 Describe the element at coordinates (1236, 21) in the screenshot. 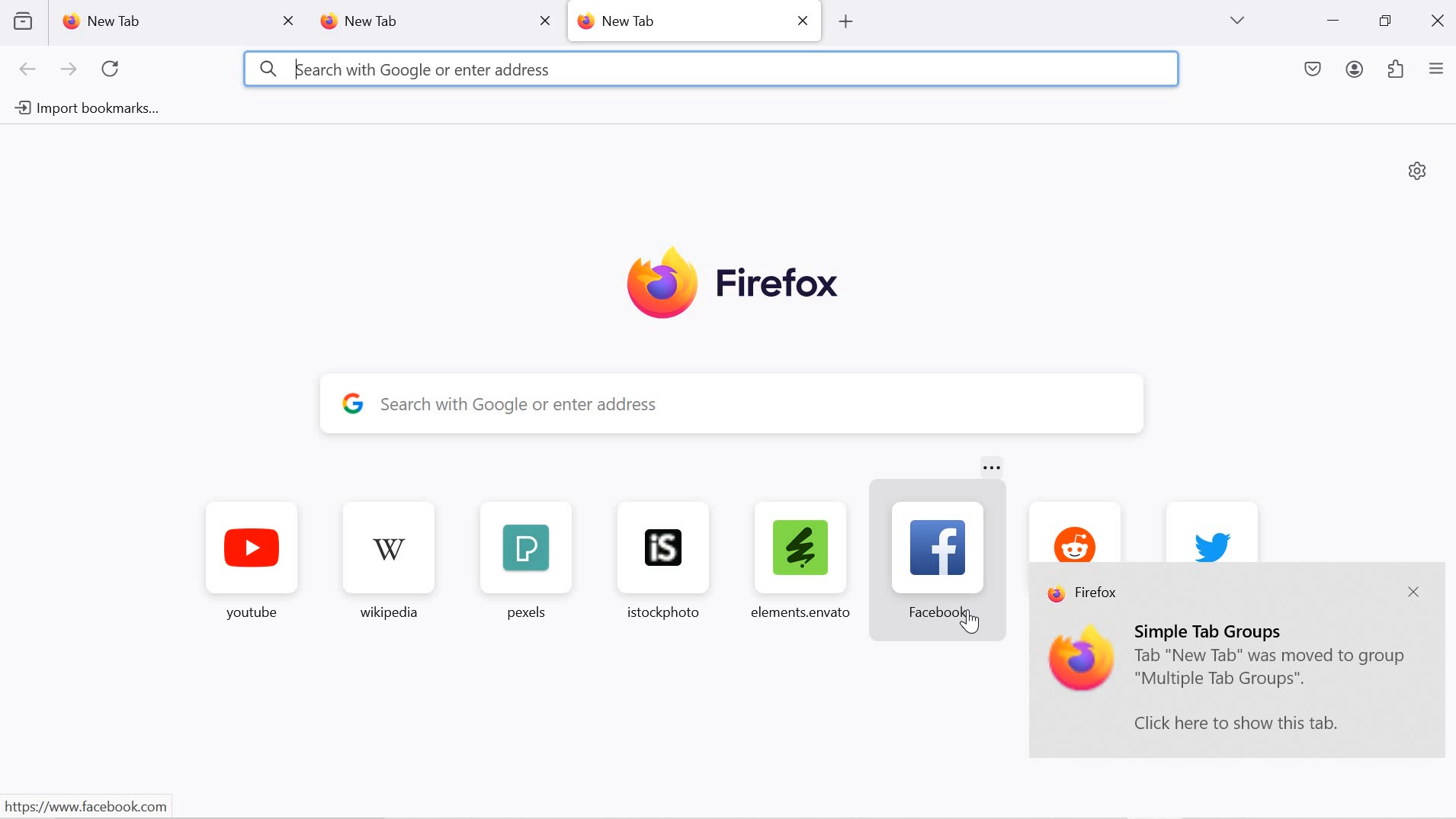

I see `list all tabs` at that location.